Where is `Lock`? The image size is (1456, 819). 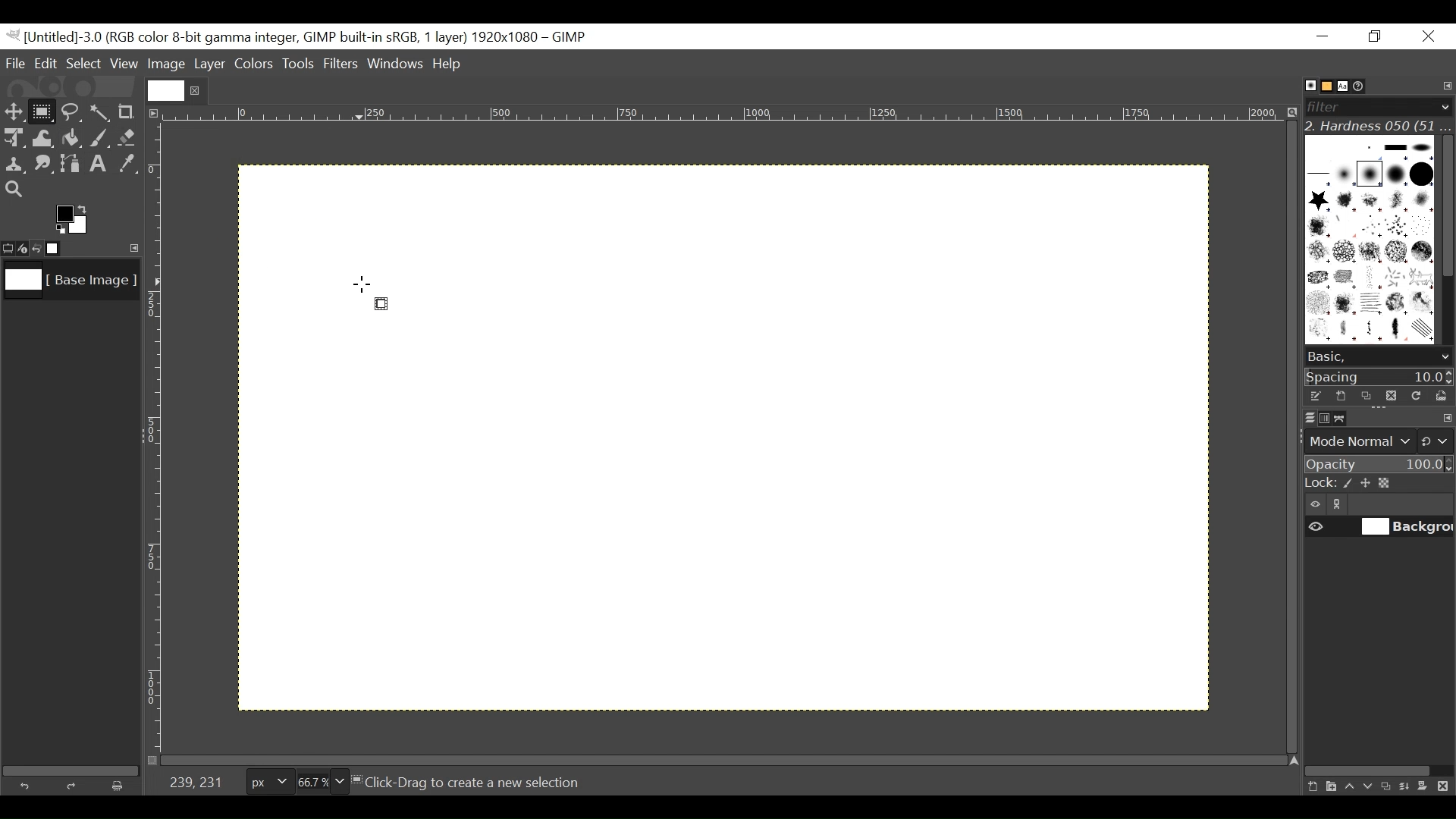
Lock is located at coordinates (1378, 484).